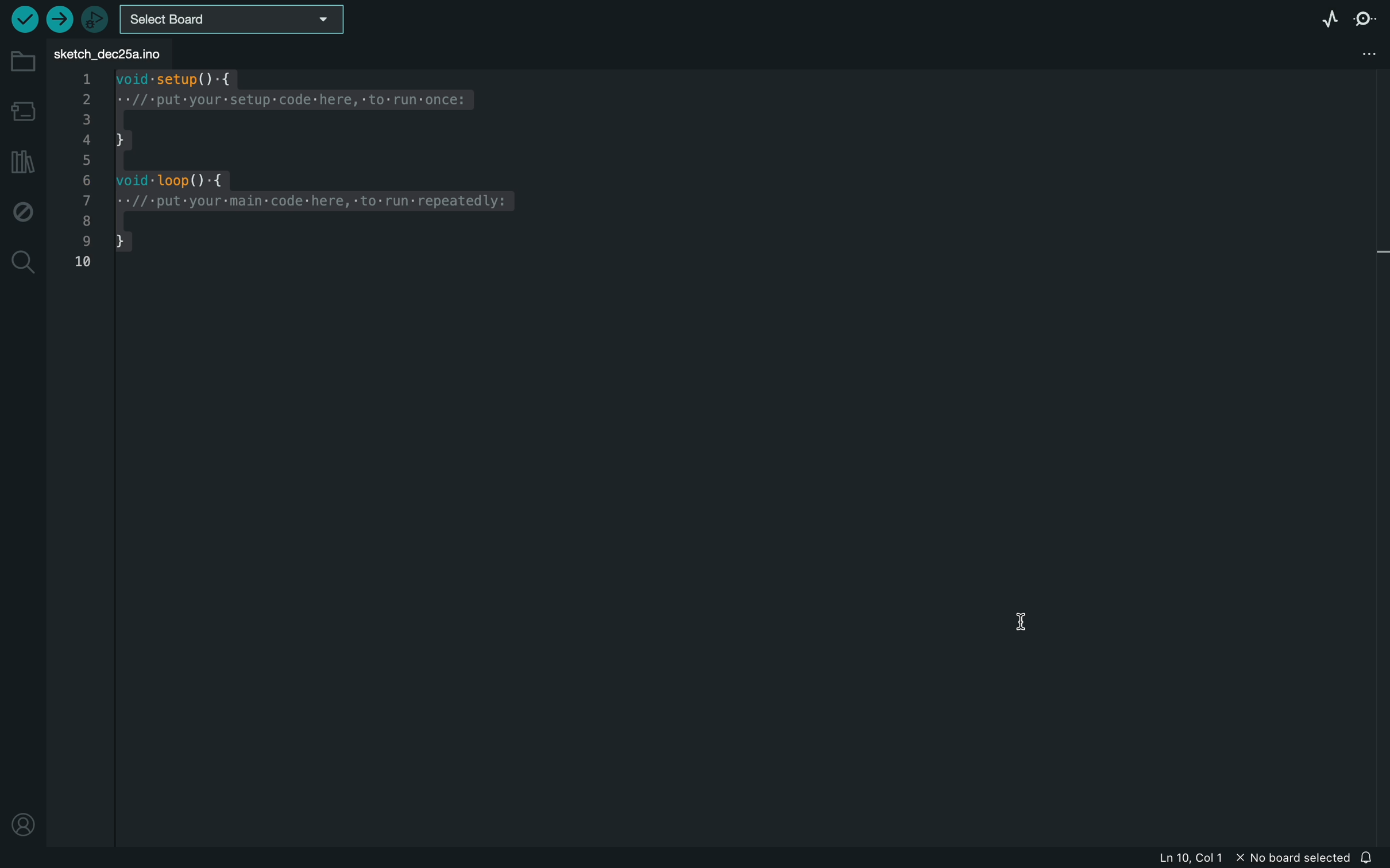 This screenshot has width=1390, height=868. Describe the element at coordinates (1036, 637) in the screenshot. I see `cursor` at that location.